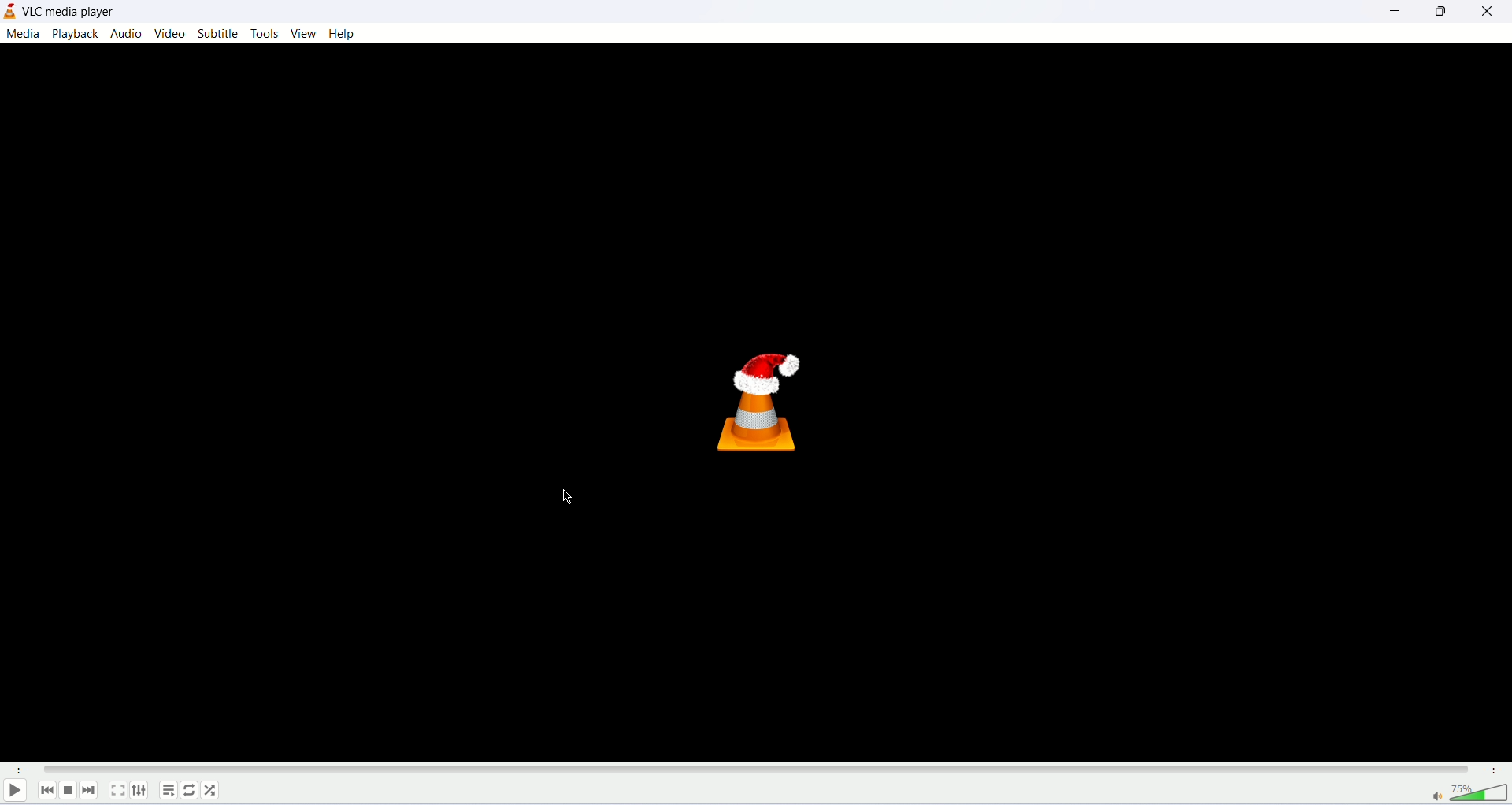  I want to click on maximize, so click(1447, 11).